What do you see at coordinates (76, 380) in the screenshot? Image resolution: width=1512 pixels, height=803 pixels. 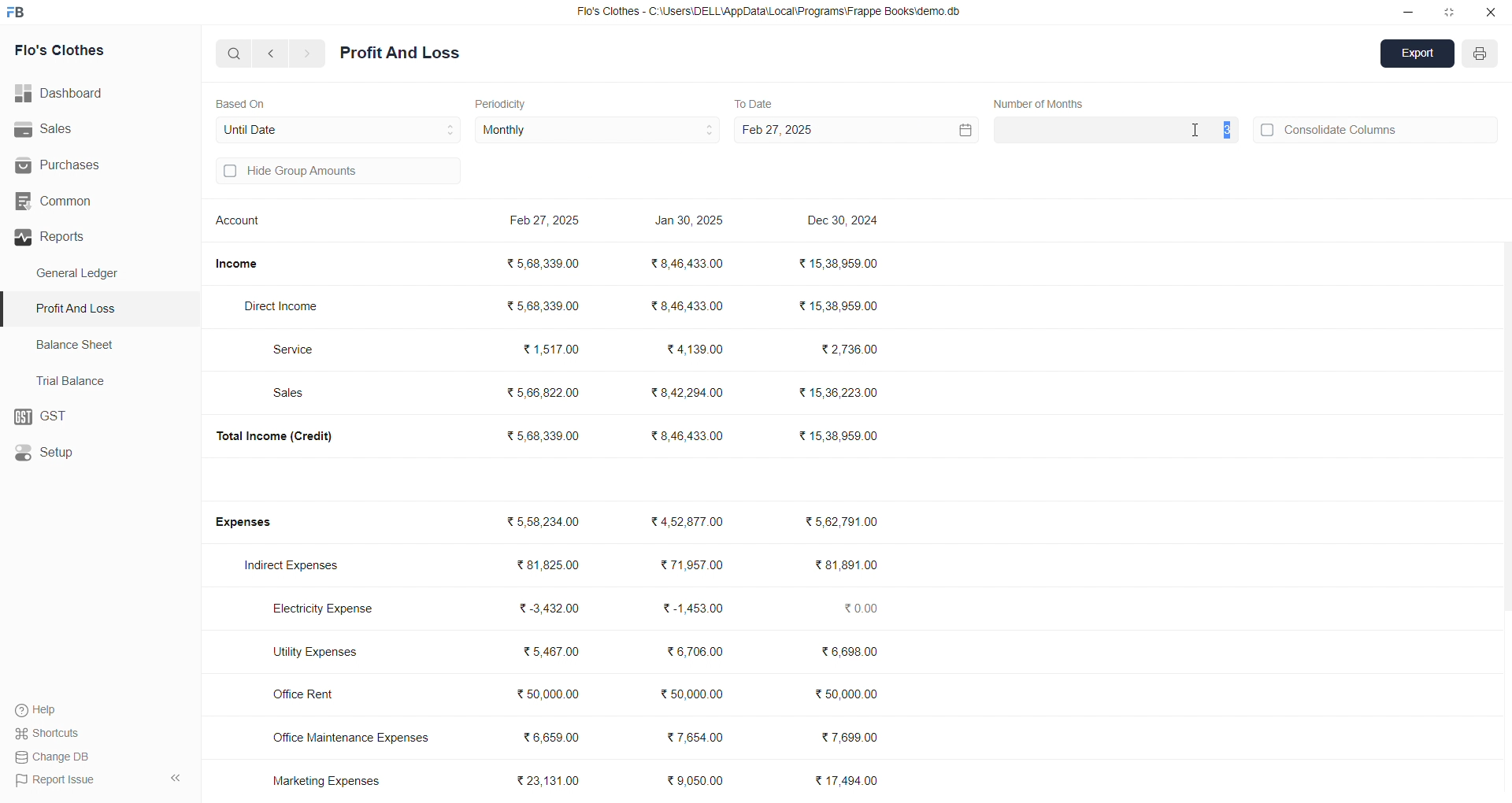 I see `Trial Balance` at bounding box center [76, 380].